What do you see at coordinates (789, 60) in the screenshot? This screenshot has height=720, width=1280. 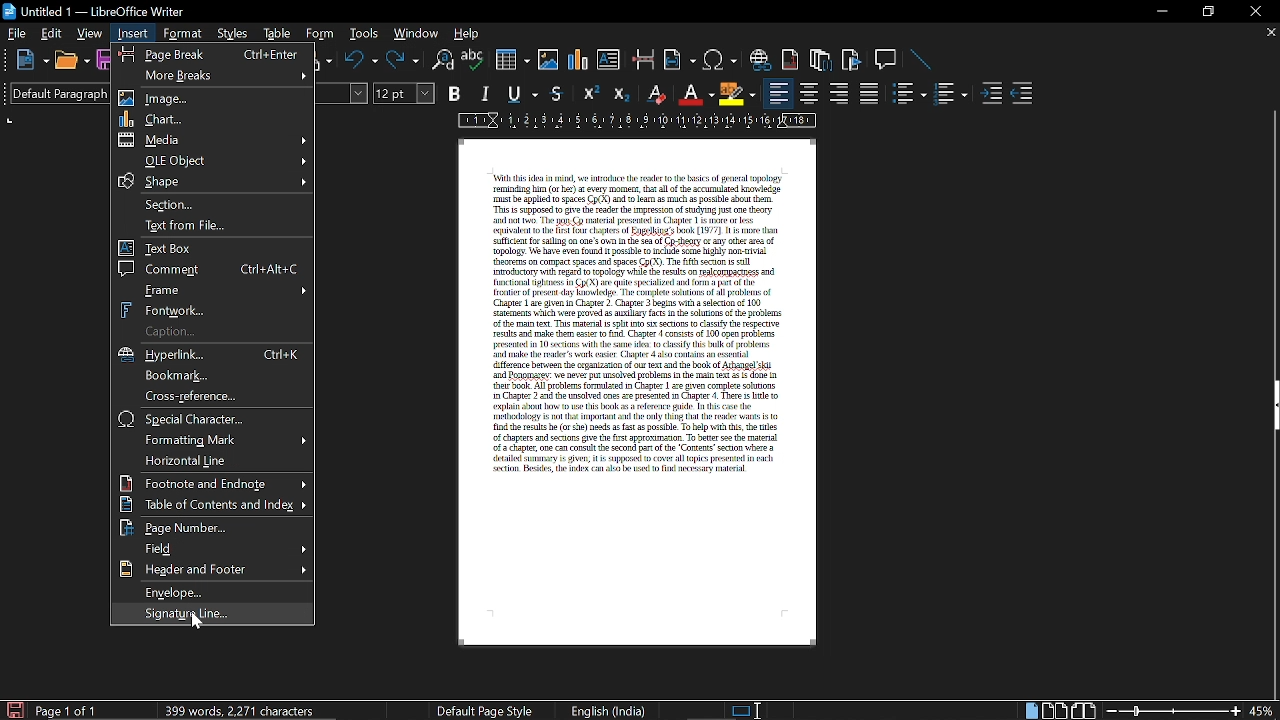 I see `insert endnote` at bounding box center [789, 60].